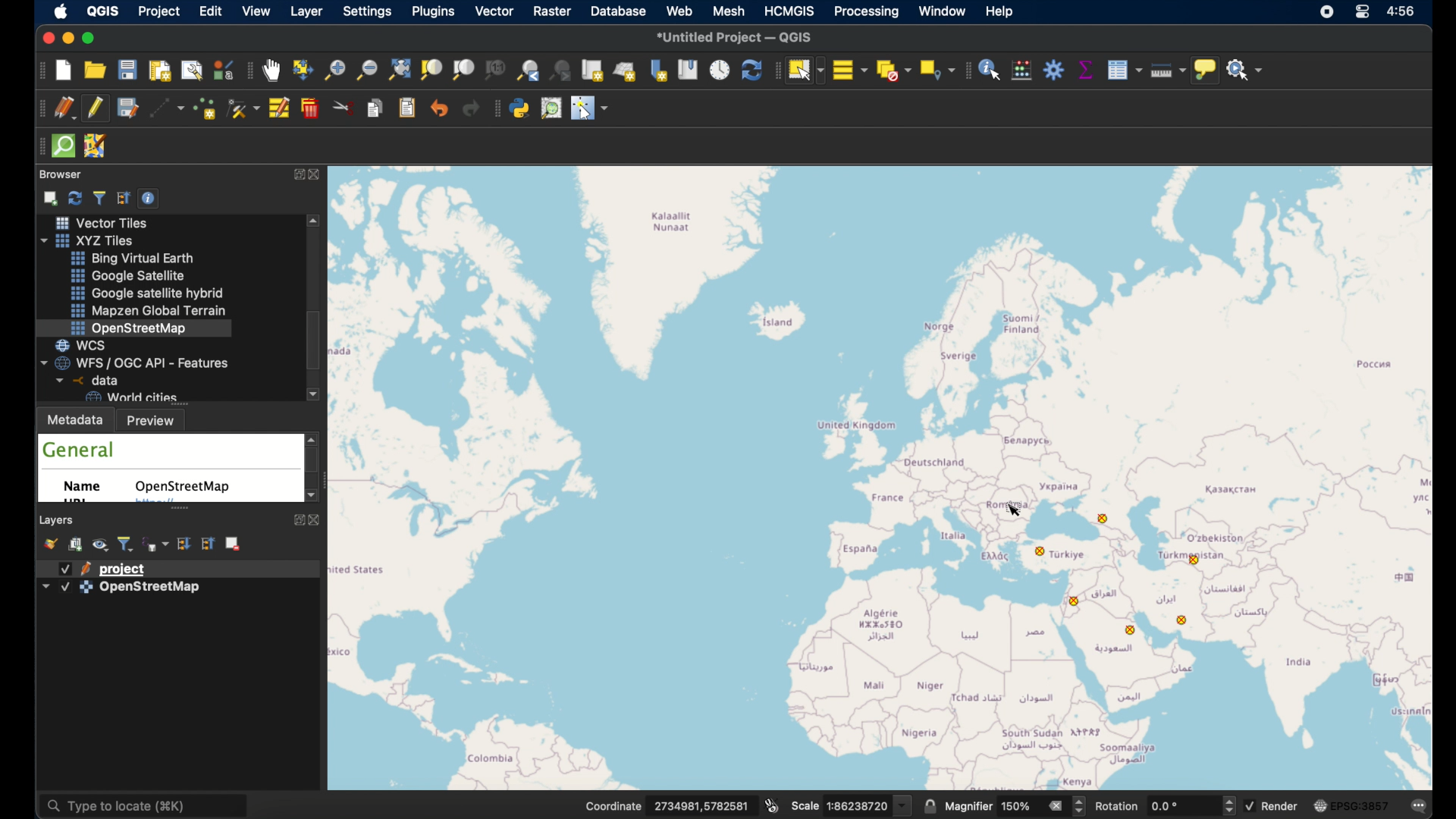 The width and height of the screenshot is (1456, 819). What do you see at coordinates (1404, 13) in the screenshot?
I see `time` at bounding box center [1404, 13].